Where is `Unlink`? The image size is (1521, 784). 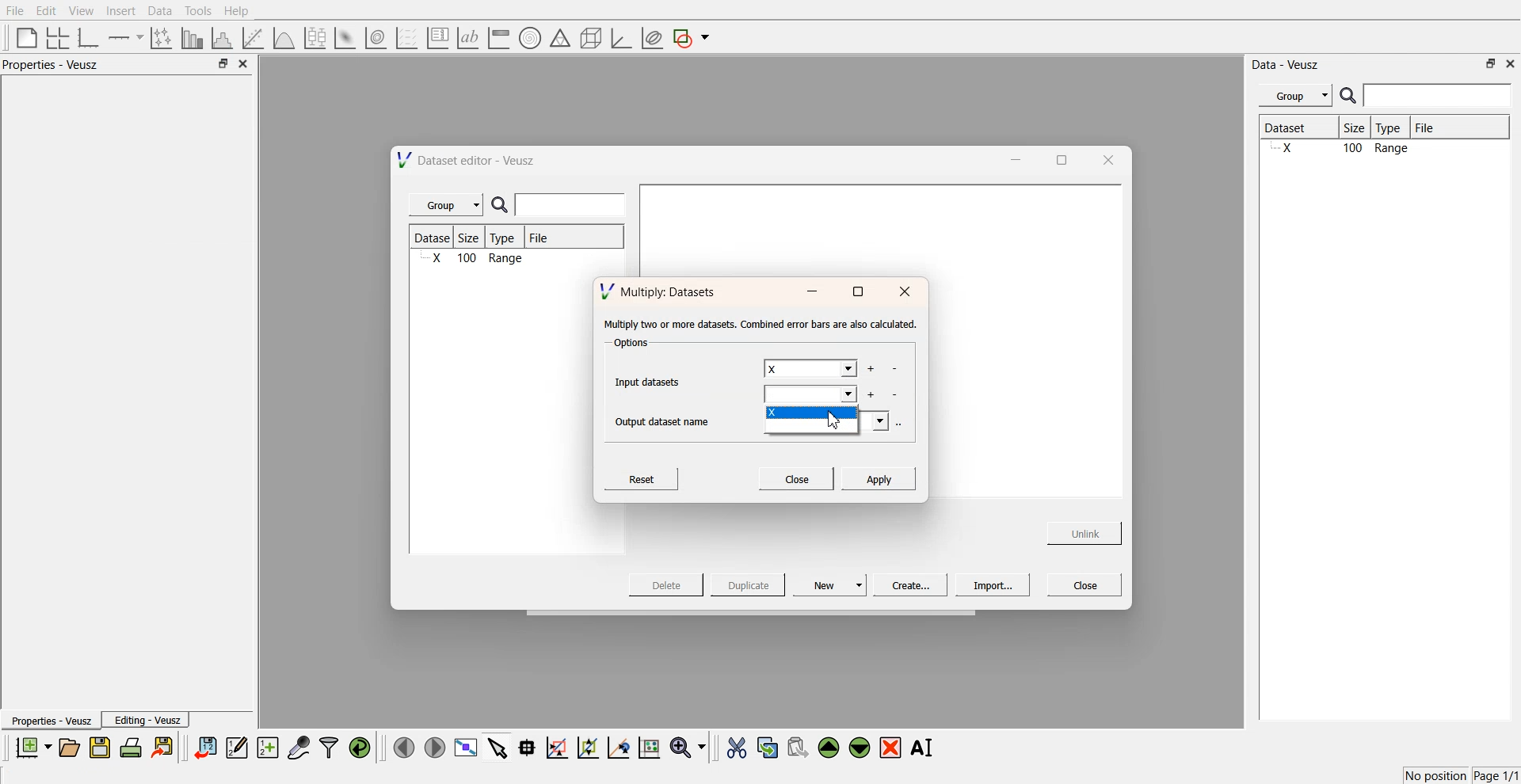 Unlink is located at coordinates (1085, 531).